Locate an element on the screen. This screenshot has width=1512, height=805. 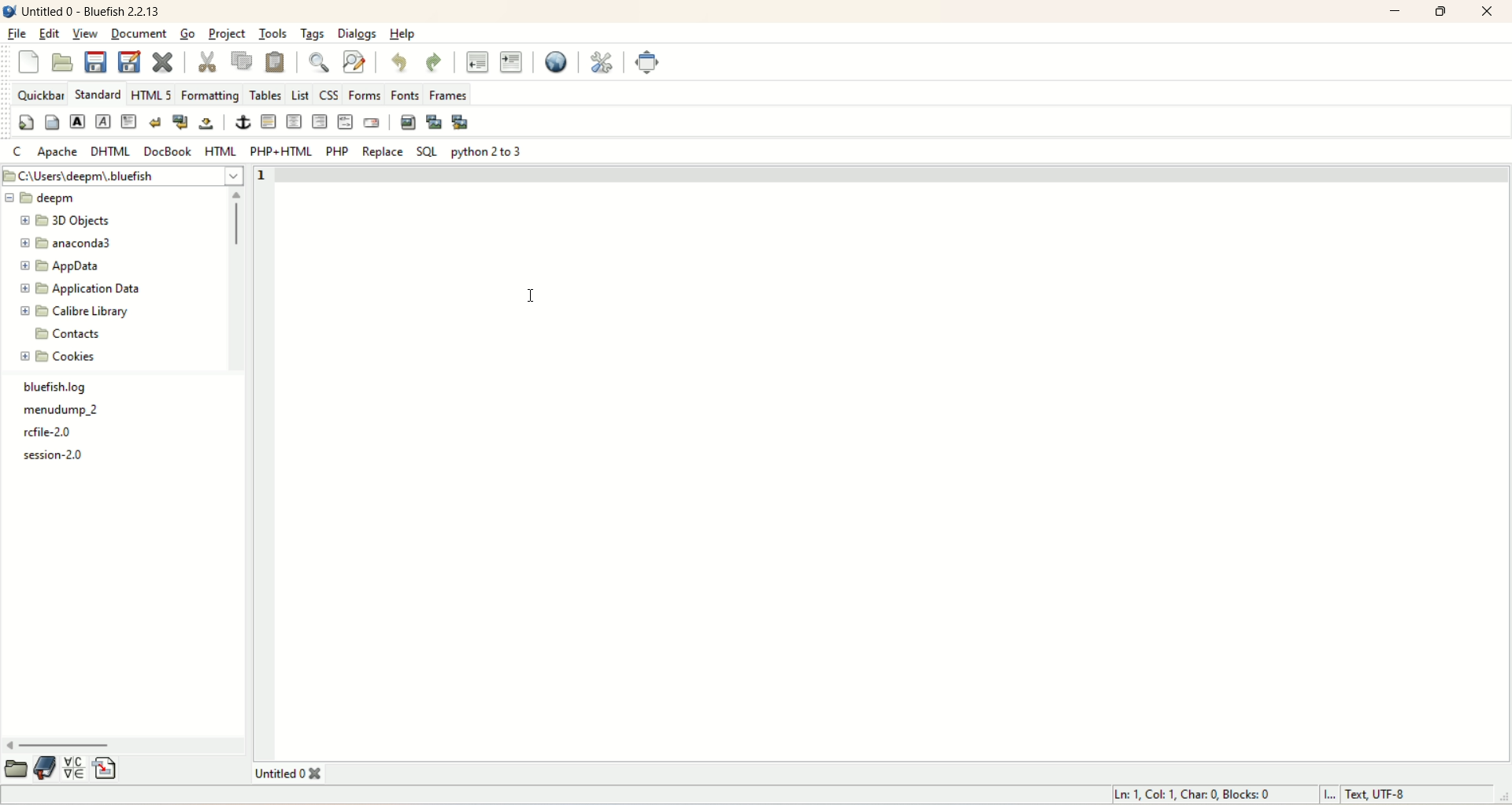
show find bar is located at coordinates (320, 63).